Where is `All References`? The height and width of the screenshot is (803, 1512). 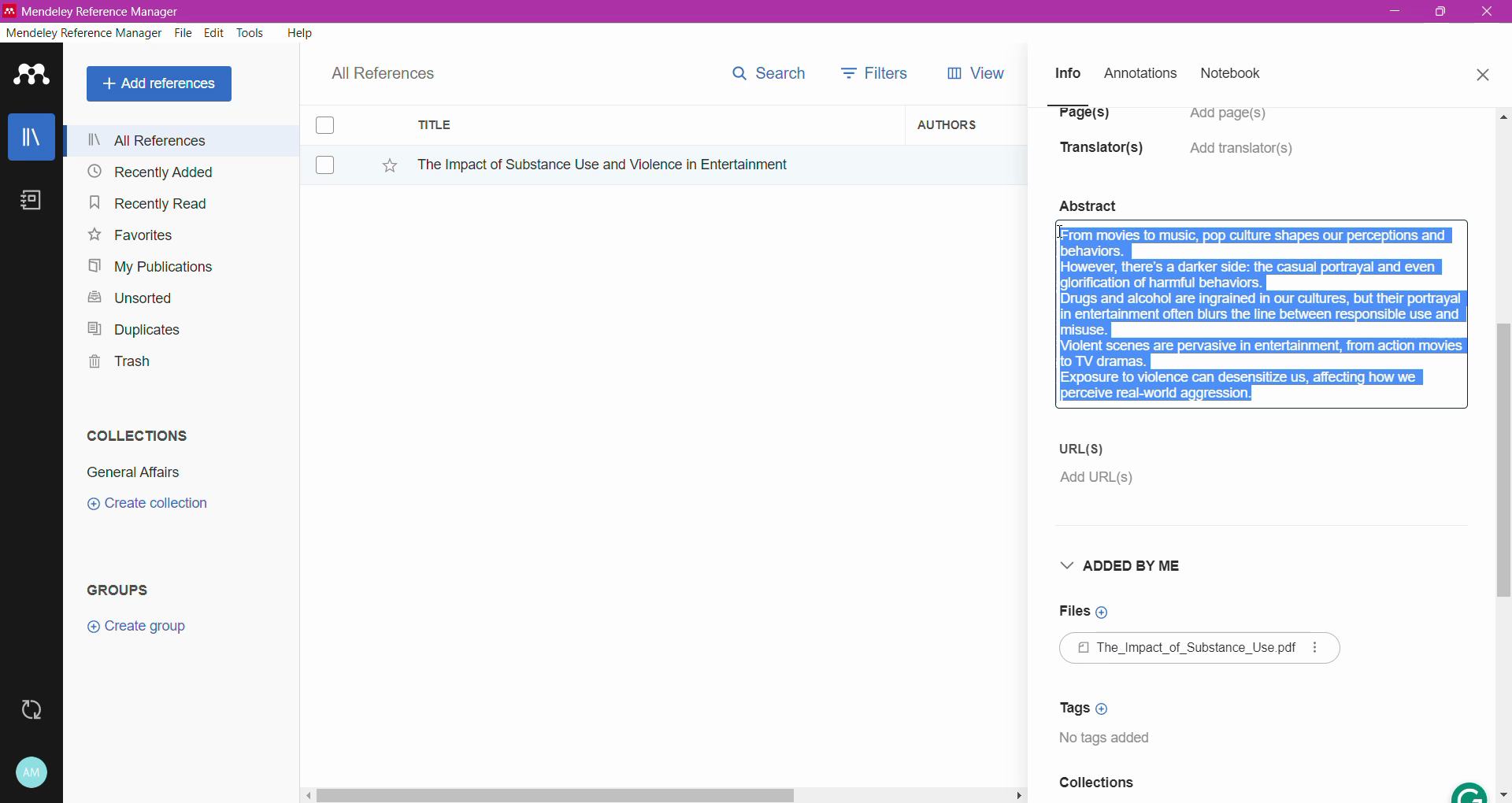 All References is located at coordinates (394, 69).